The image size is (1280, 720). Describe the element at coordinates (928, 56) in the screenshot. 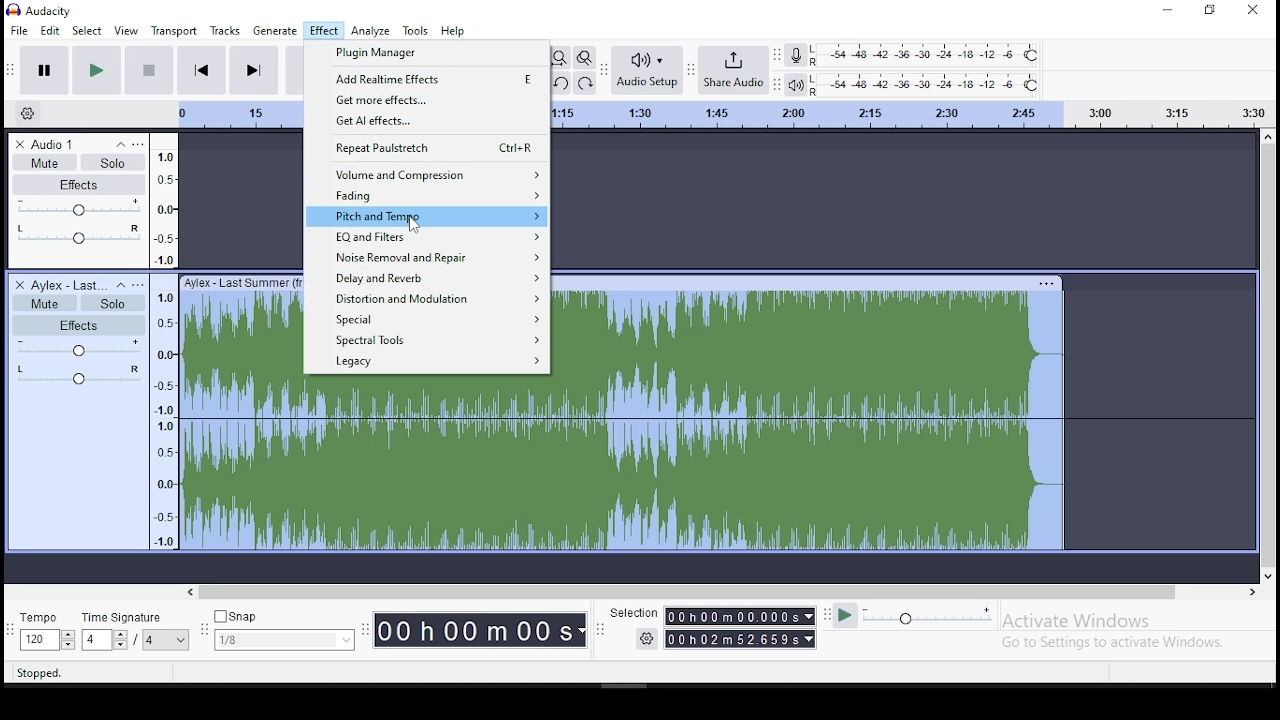

I see `recording level` at that location.